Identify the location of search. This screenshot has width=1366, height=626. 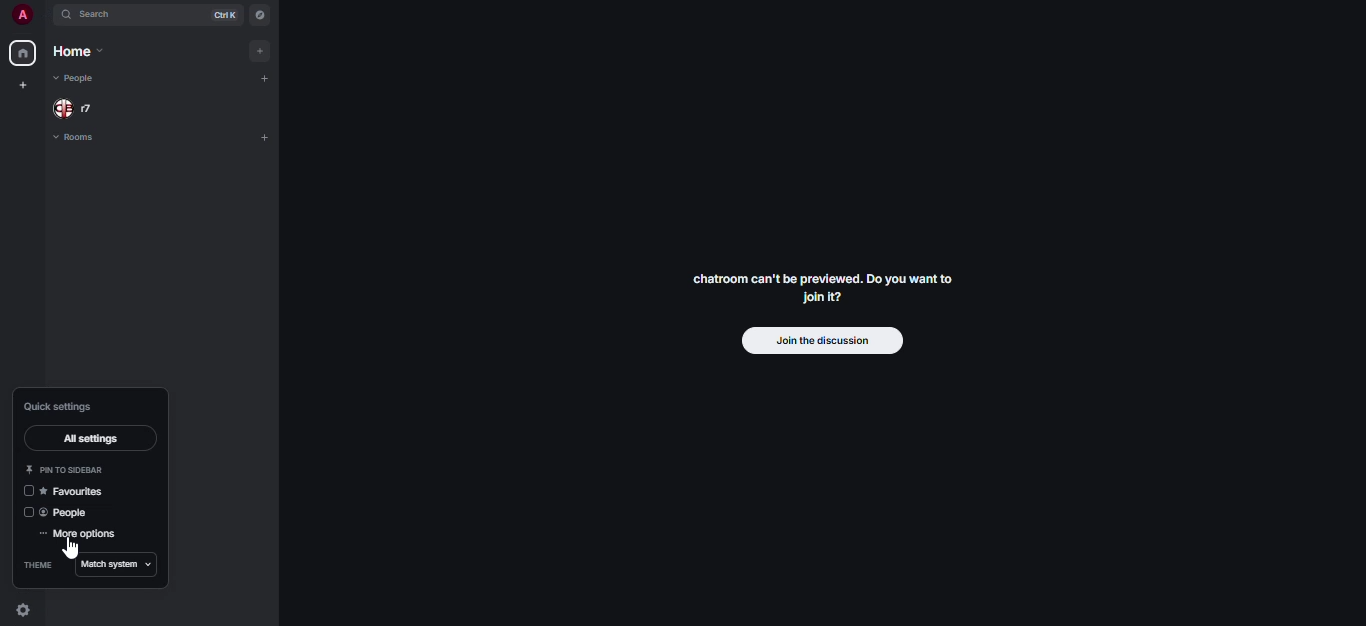
(100, 16).